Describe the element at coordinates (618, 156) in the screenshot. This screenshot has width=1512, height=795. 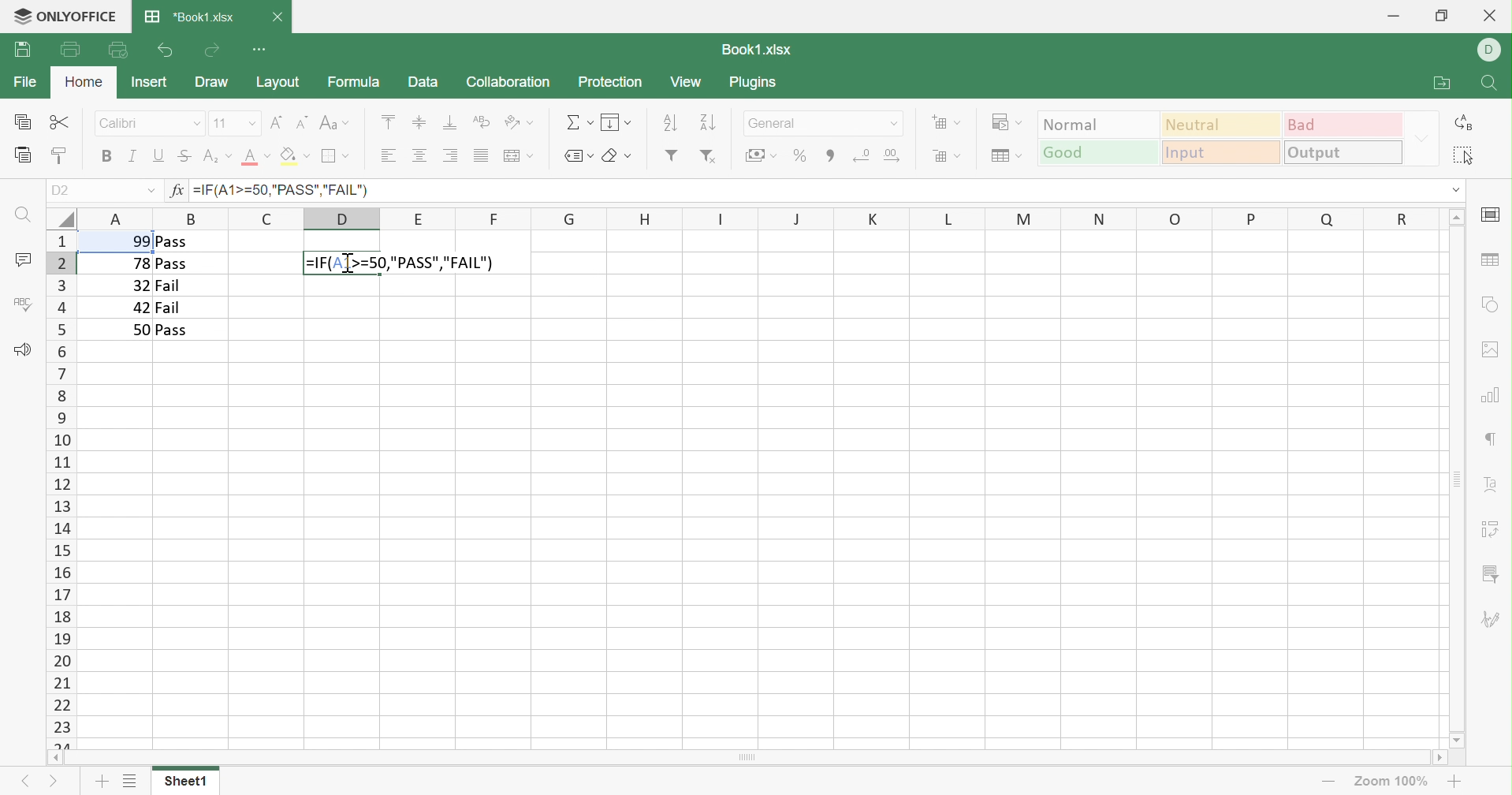
I see `Clear` at that location.